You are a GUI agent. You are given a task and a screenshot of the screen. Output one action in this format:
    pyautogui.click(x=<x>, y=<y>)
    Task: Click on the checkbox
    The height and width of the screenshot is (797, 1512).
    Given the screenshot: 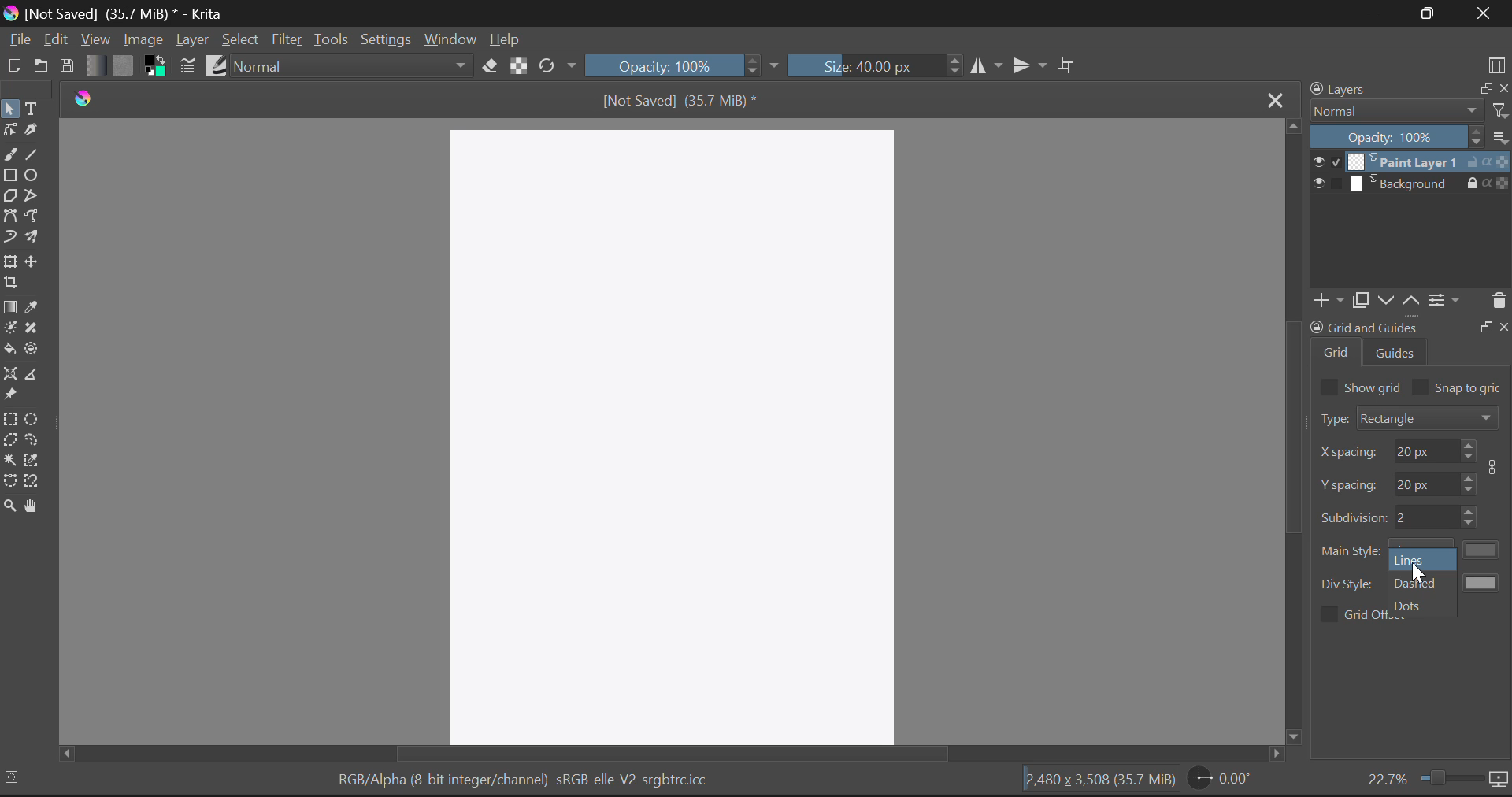 What is the action you would take?
    pyautogui.click(x=1328, y=387)
    